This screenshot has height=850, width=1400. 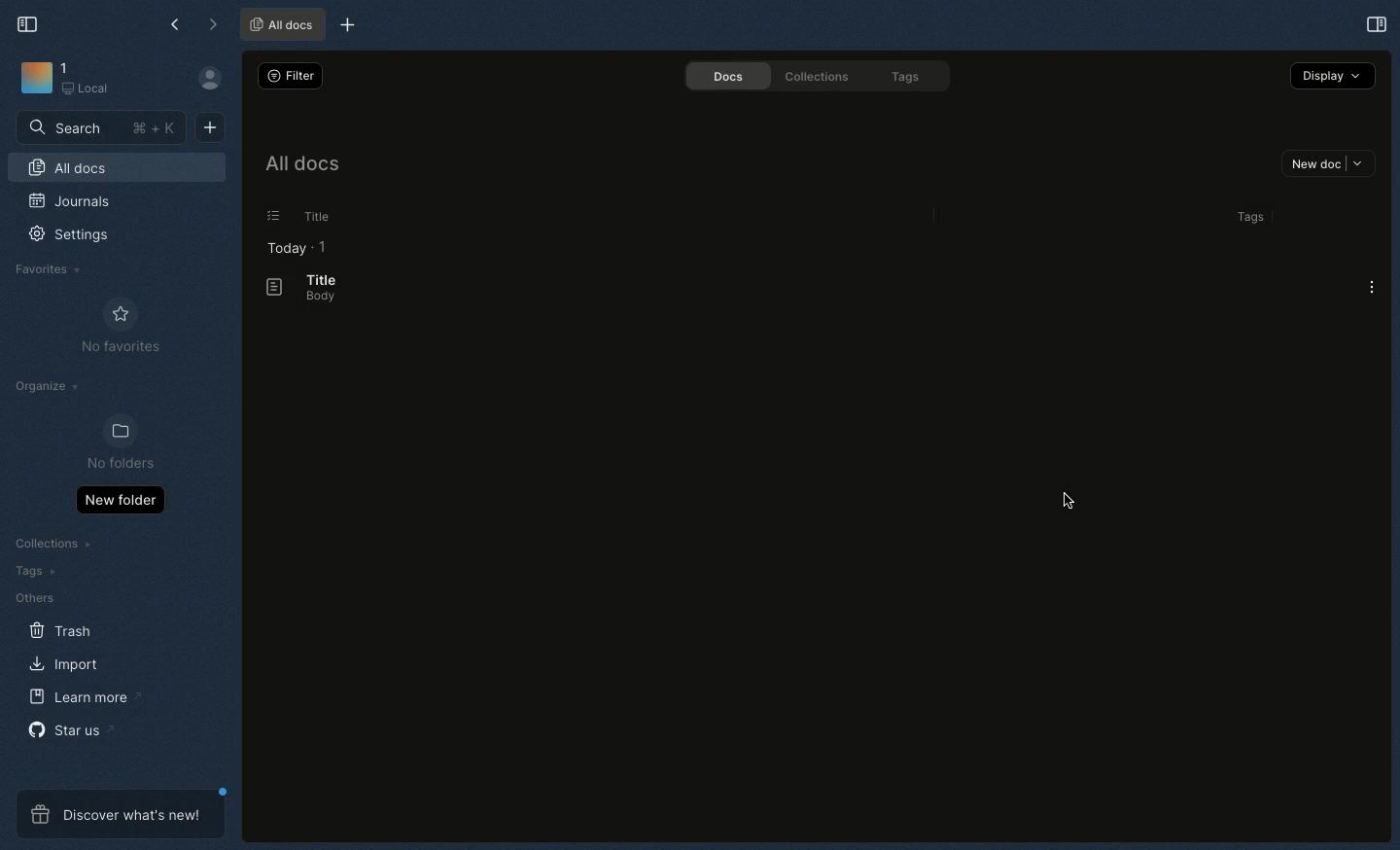 I want to click on Collections, so click(x=813, y=76).